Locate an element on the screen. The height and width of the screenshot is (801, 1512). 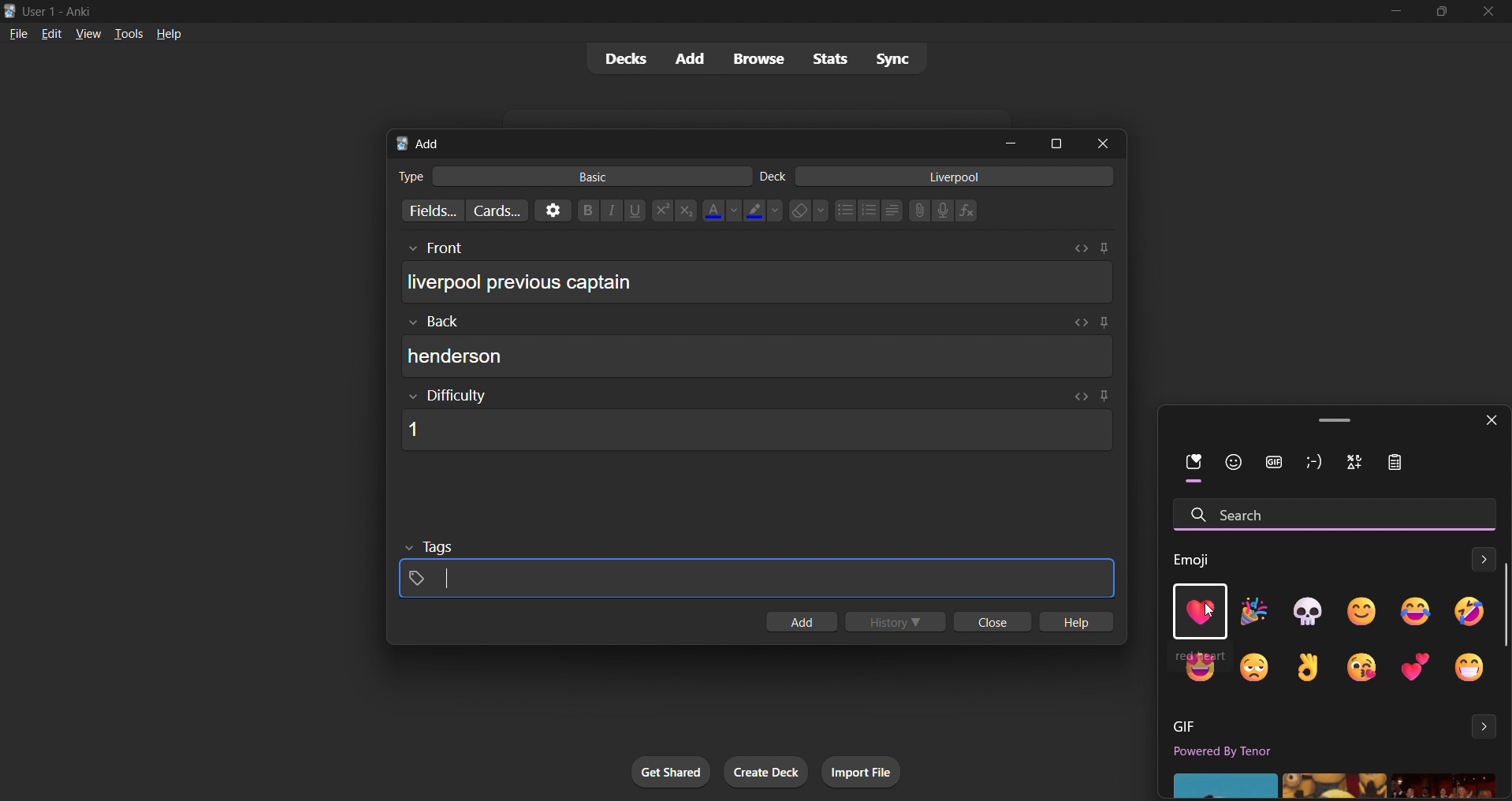
emoji is located at coordinates (1313, 667).